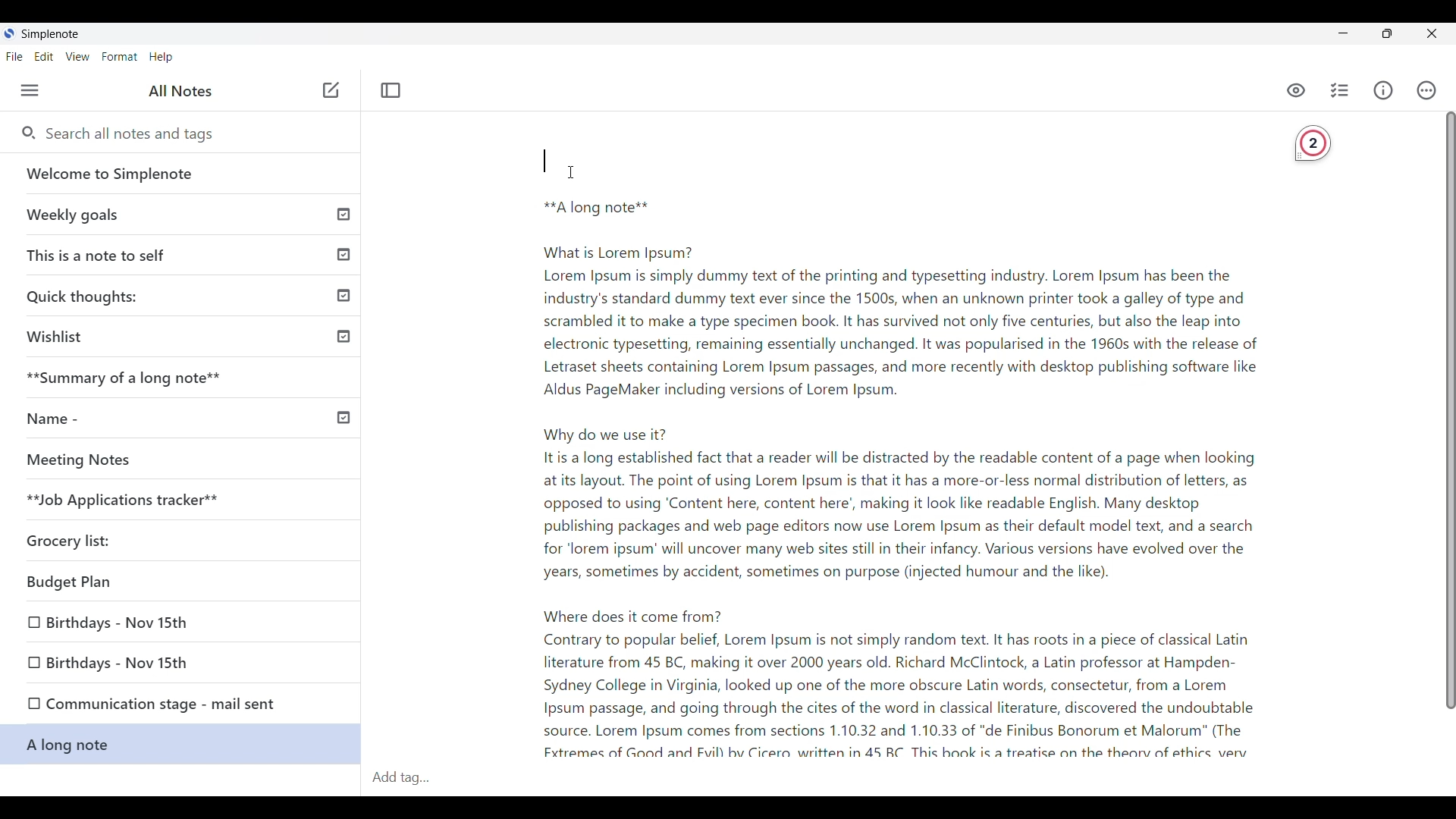 This screenshot has width=1456, height=819. Describe the element at coordinates (1344, 33) in the screenshot. I see `Minimize` at that location.